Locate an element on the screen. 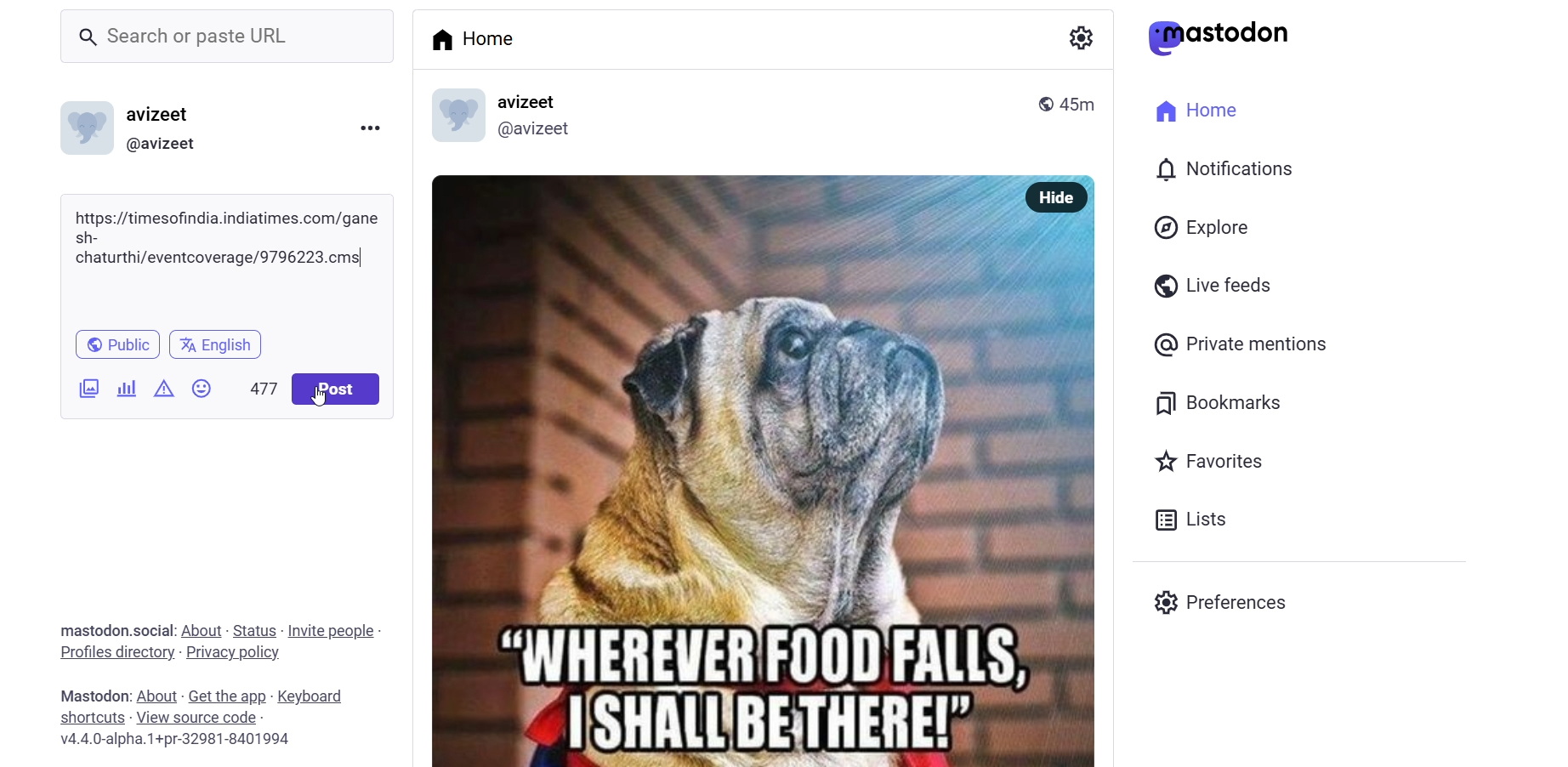 This screenshot has height=767, width=1568. a is located at coordinates (1080, 37).